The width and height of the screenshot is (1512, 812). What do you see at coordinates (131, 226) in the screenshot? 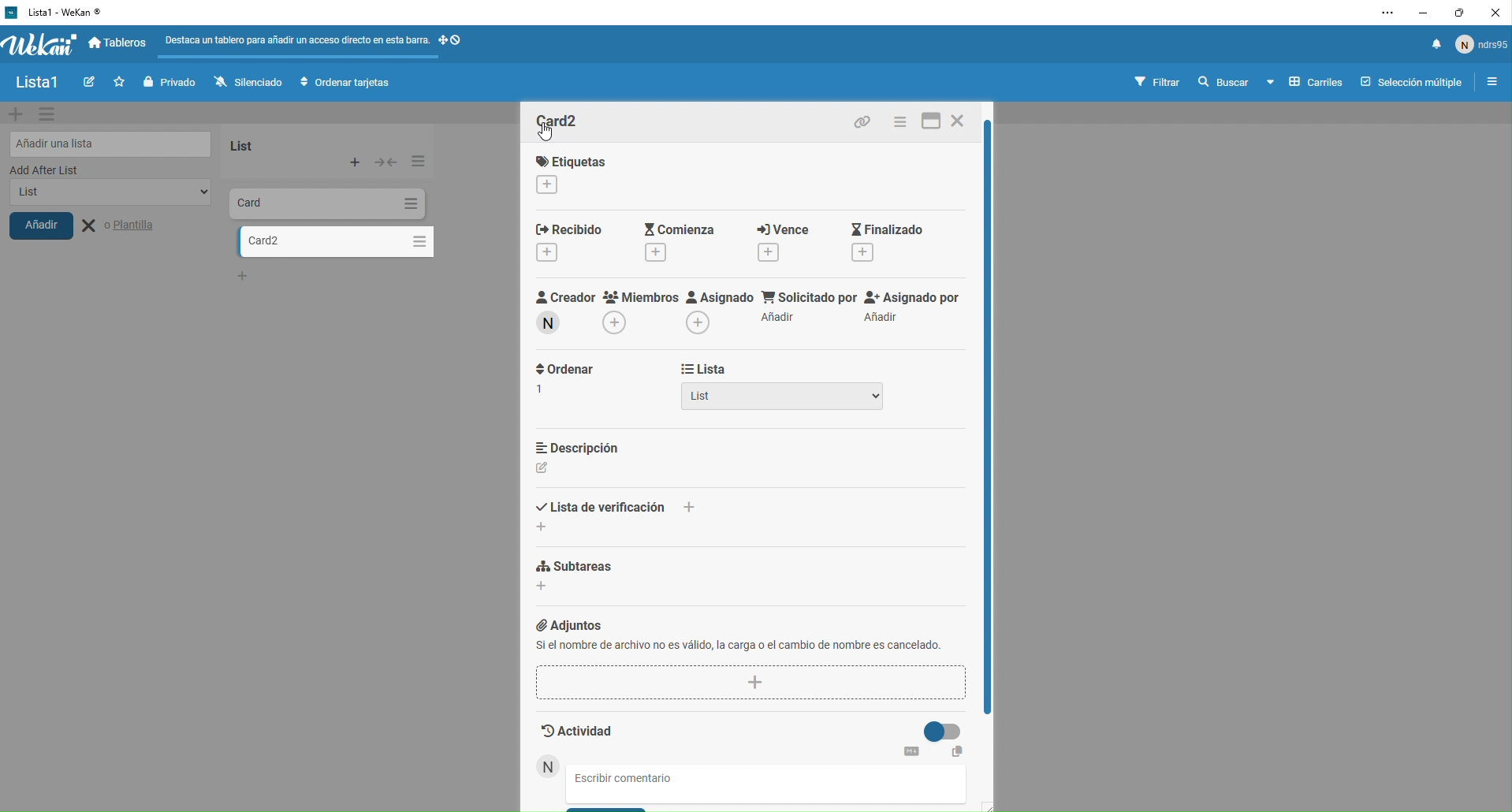
I see `Plantilla` at bounding box center [131, 226].